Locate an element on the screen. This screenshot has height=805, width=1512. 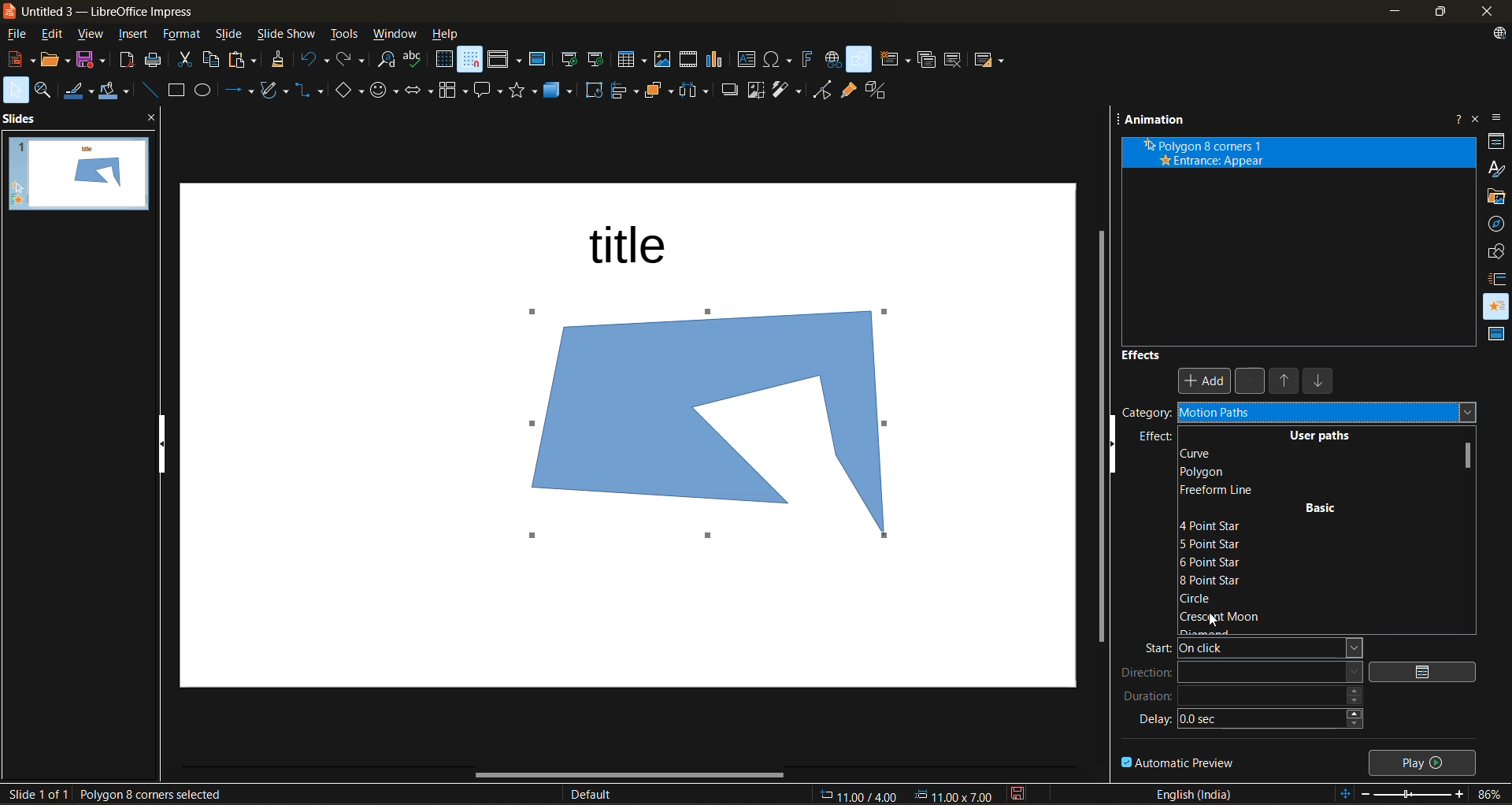
8 point star is located at coordinates (1223, 580).